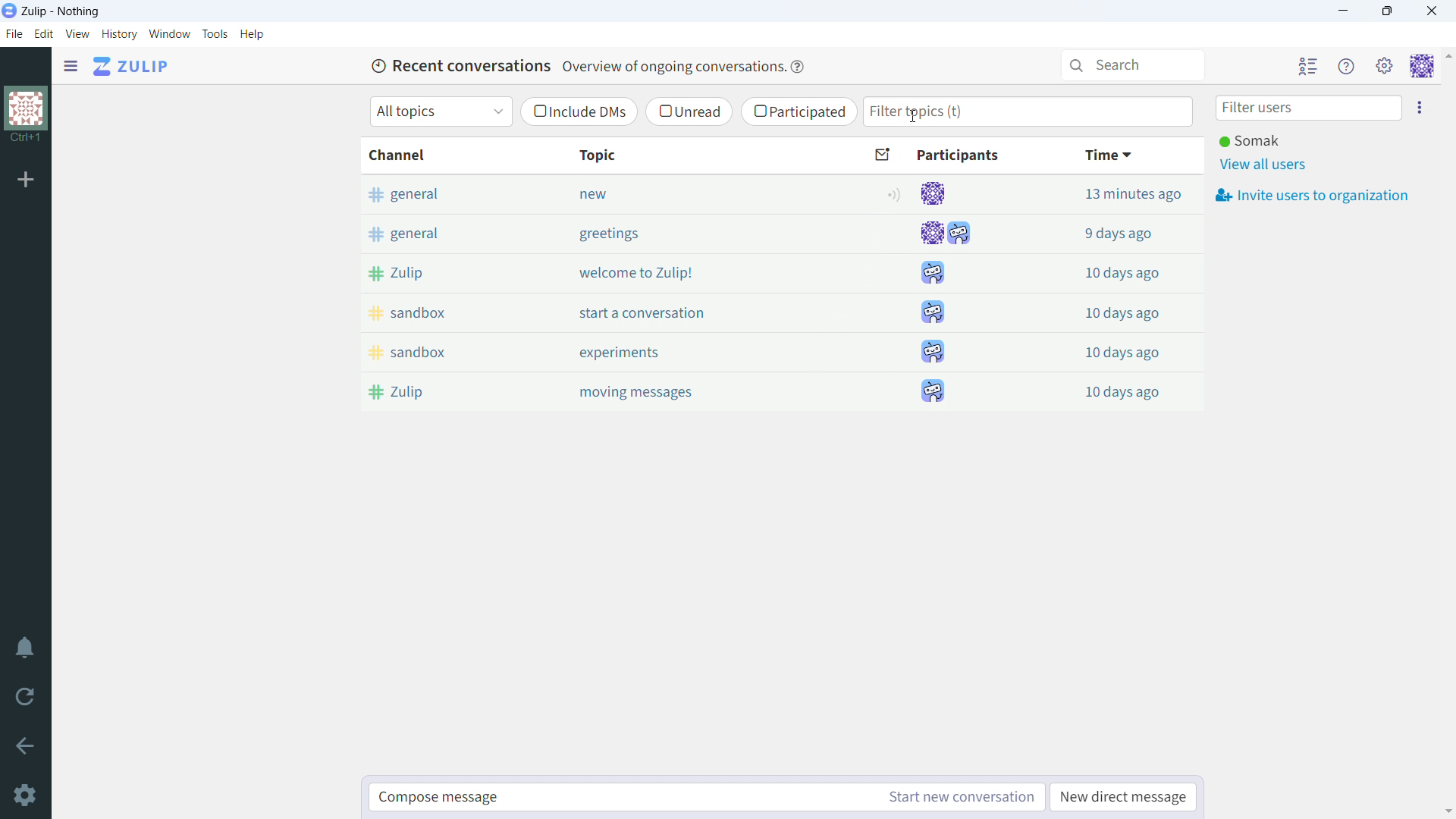  Describe the element at coordinates (691, 155) in the screenshot. I see `topic` at that location.